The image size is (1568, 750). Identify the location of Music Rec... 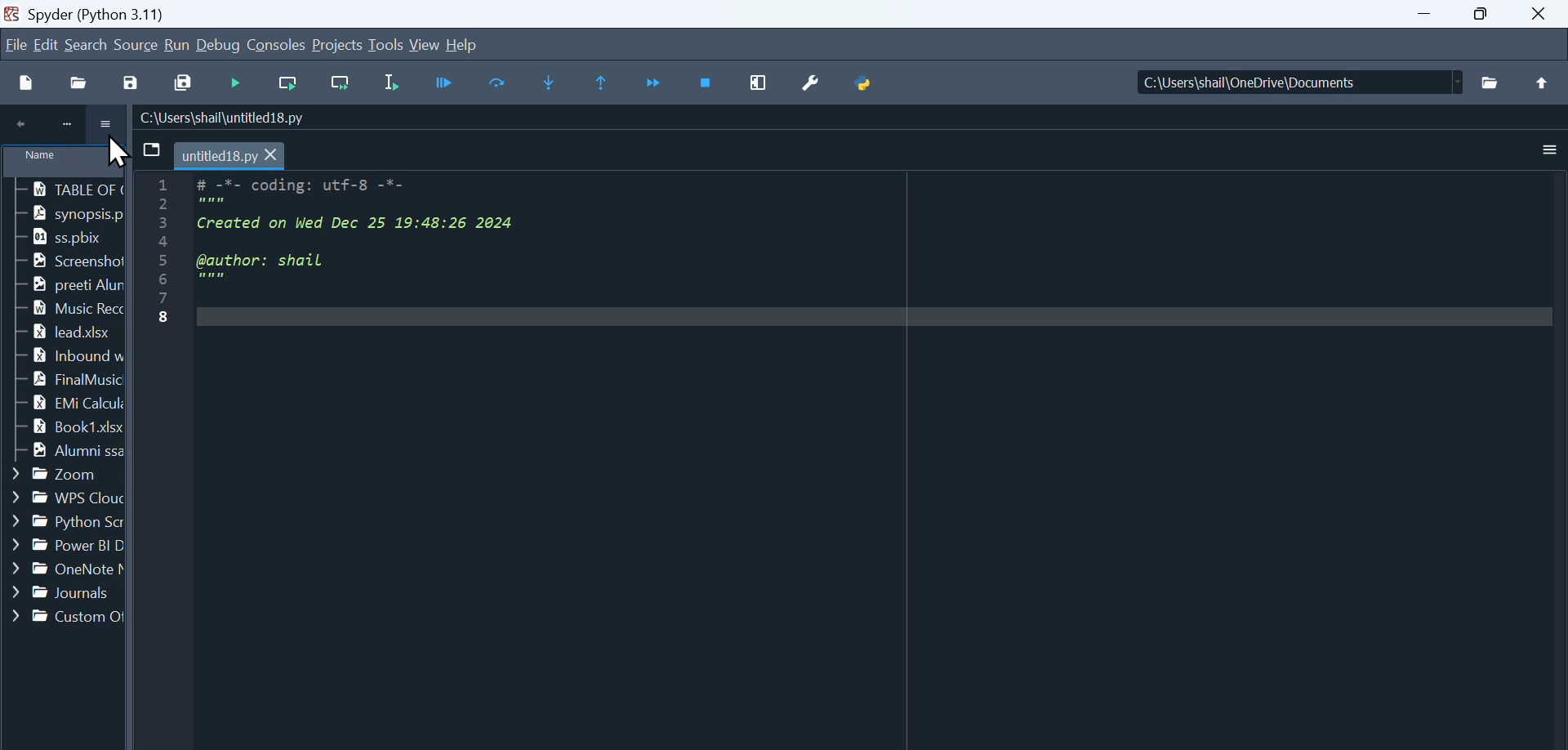
(60, 307).